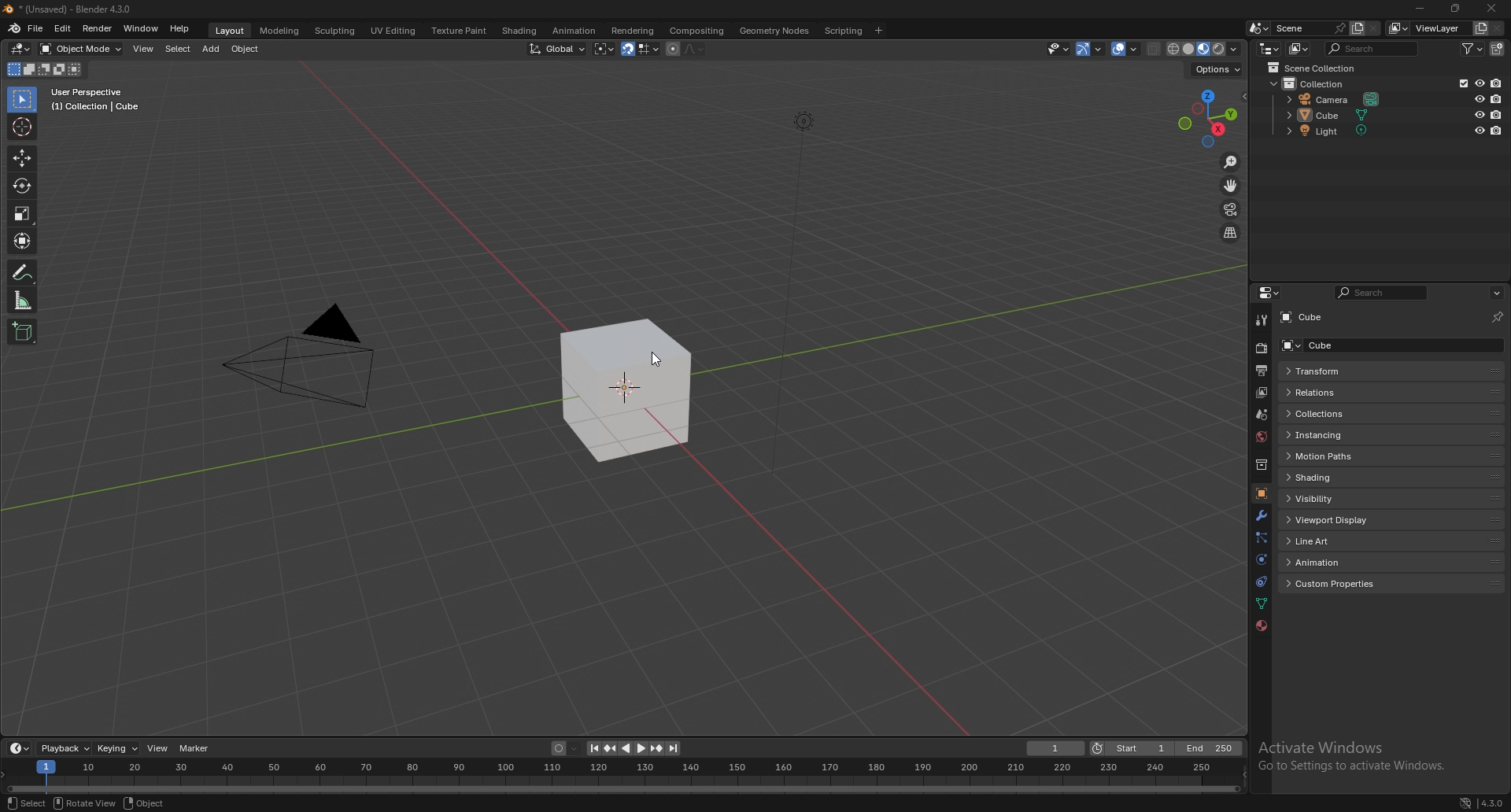 This screenshot has height=812, width=1511. I want to click on search, so click(1385, 293).